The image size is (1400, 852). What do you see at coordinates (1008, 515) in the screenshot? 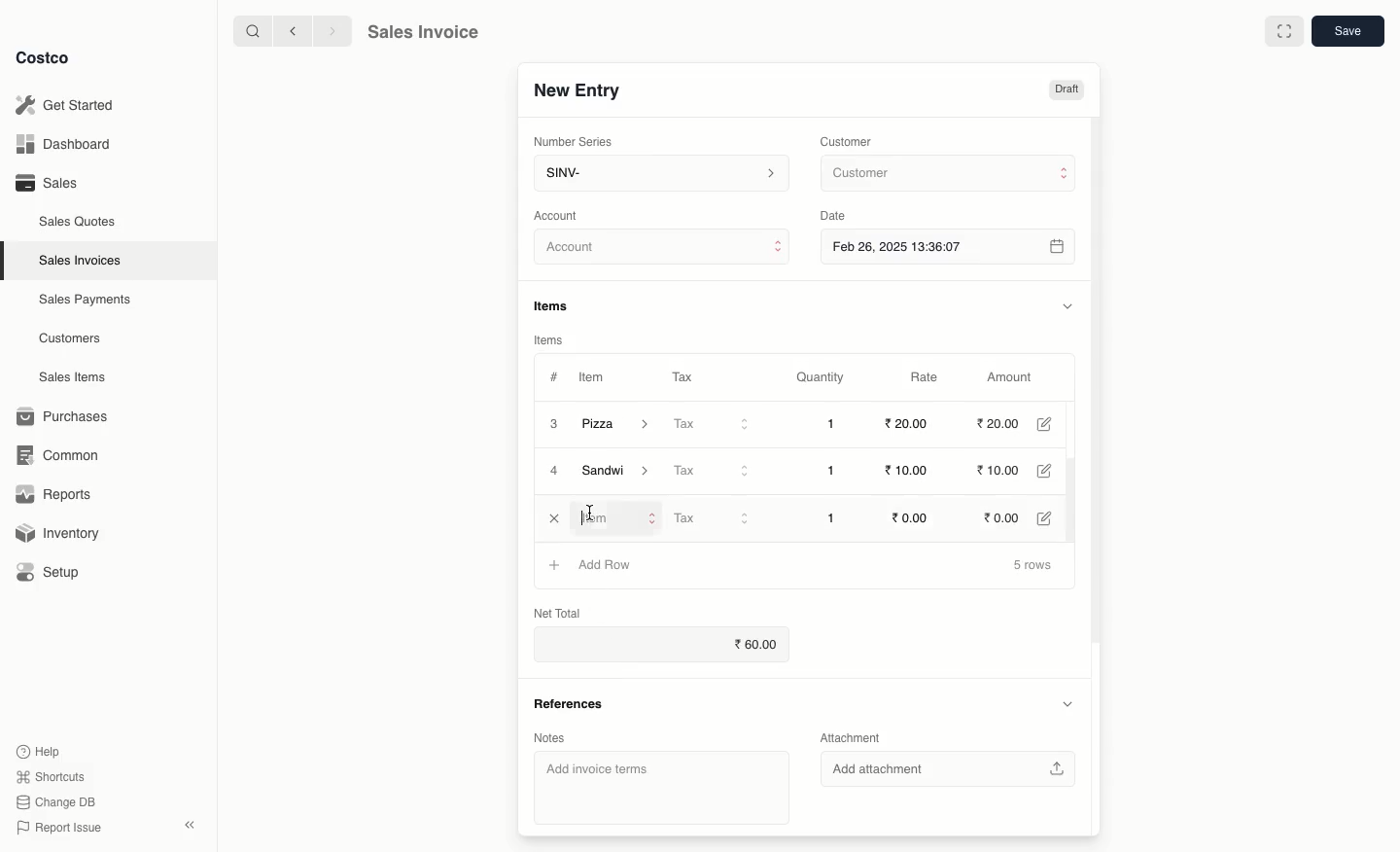
I see `0.00` at bounding box center [1008, 515].